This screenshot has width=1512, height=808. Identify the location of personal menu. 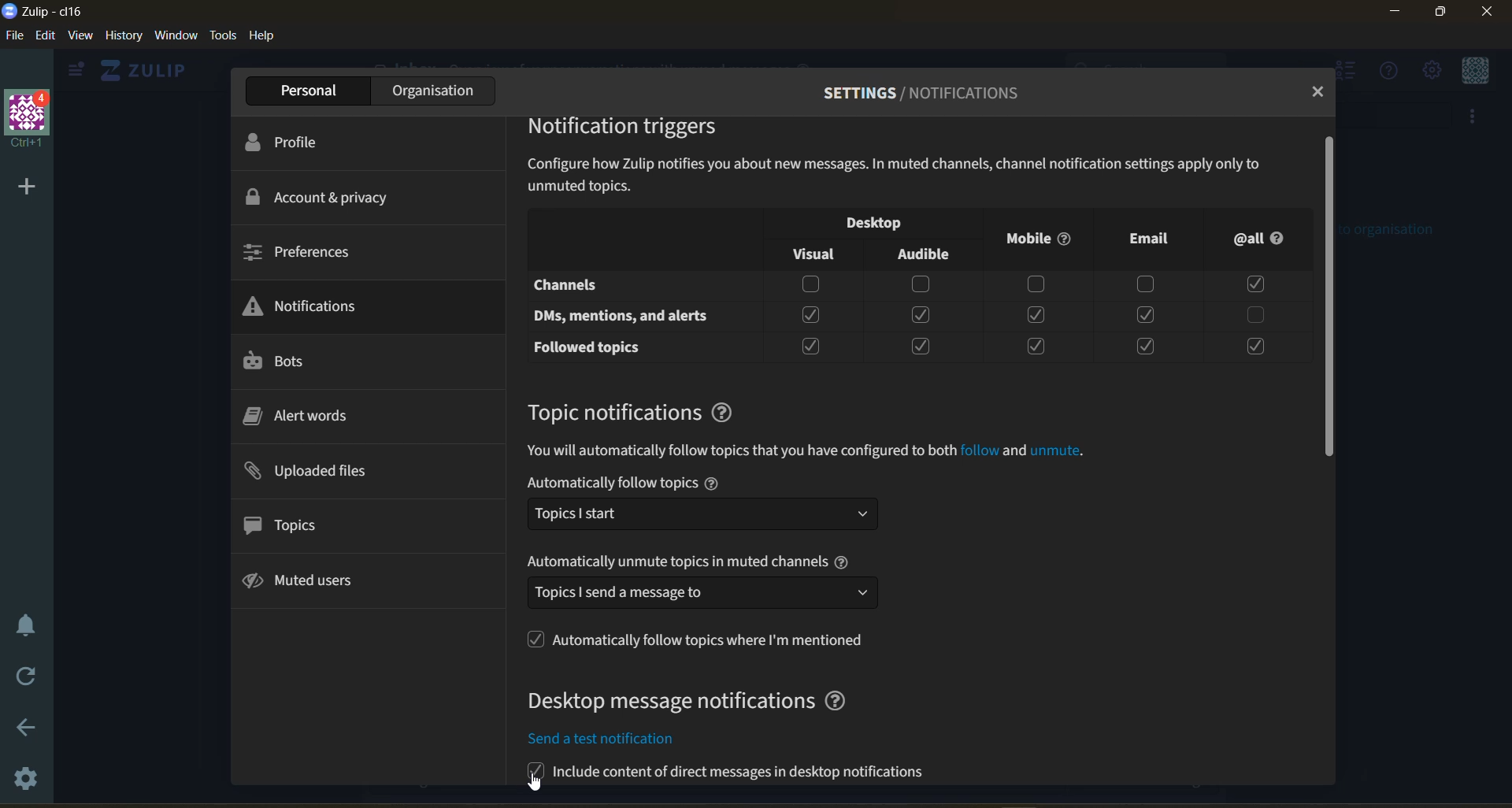
(1475, 70).